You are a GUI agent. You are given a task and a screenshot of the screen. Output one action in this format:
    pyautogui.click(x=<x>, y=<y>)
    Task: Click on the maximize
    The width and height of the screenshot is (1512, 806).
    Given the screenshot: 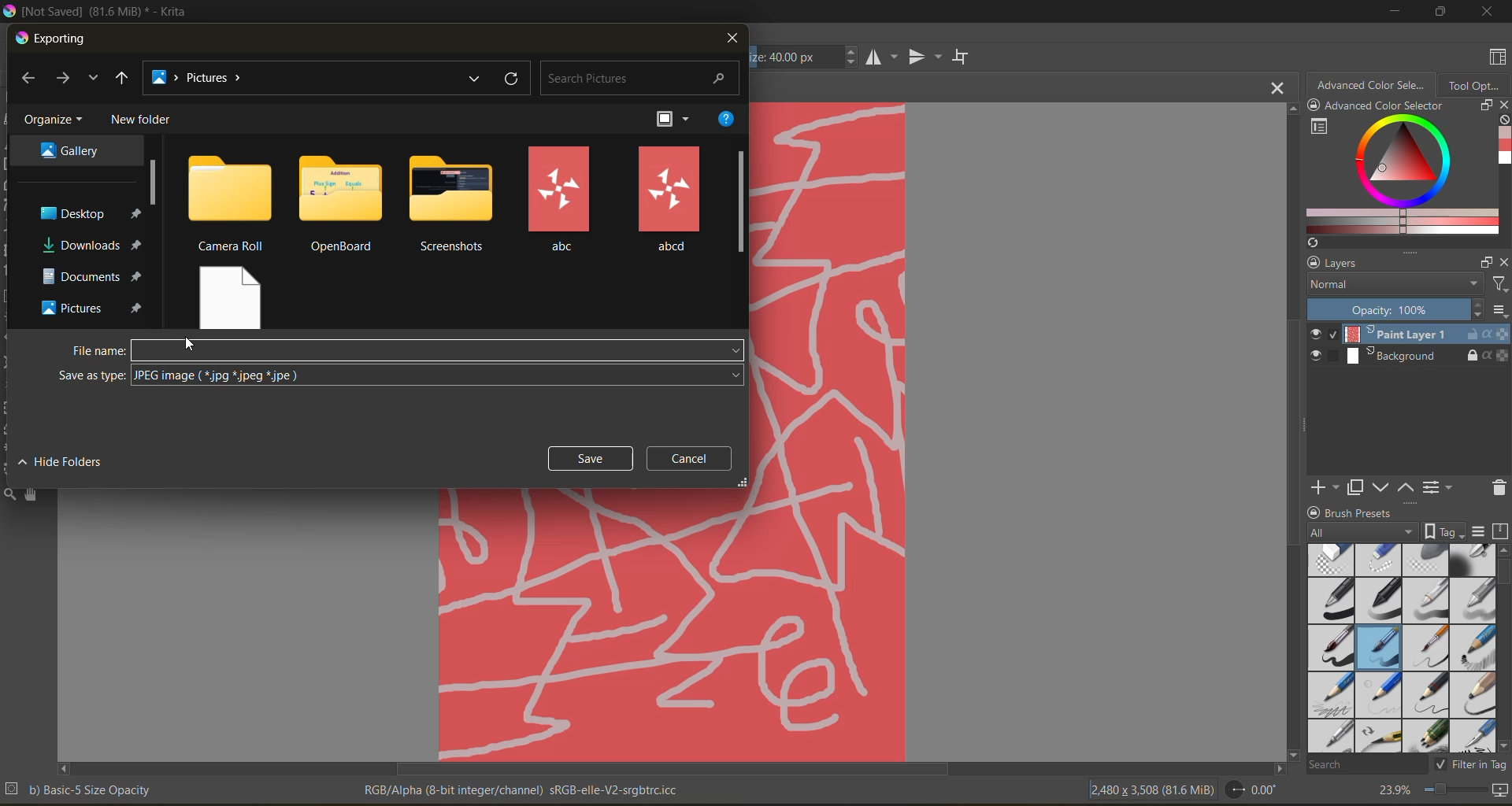 What is the action you would take?
    pyautogui.click(x=1436, y=11)
    